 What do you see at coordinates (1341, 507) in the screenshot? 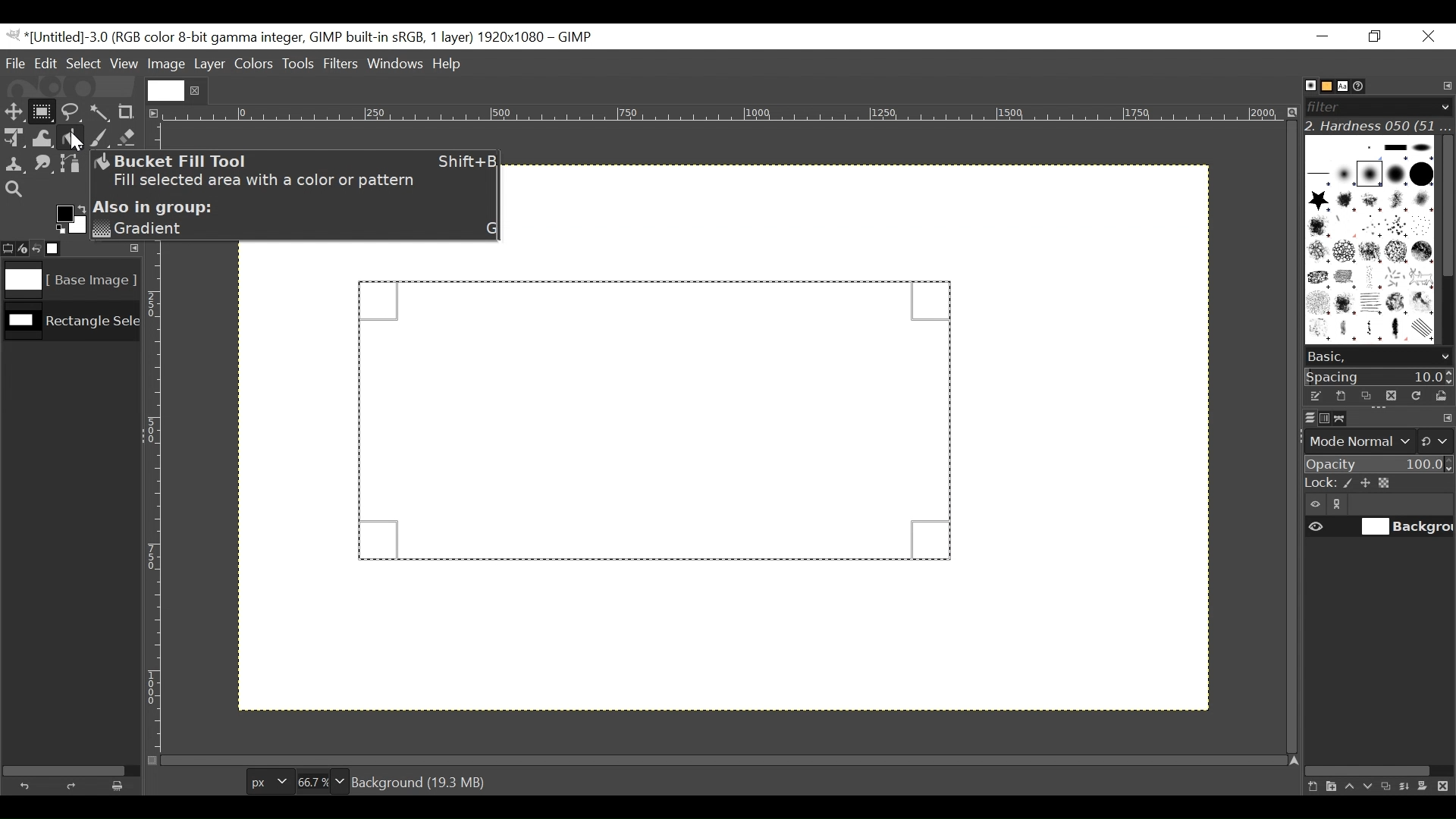
I see `link/unlink item` at bounding box center [1341, 507].